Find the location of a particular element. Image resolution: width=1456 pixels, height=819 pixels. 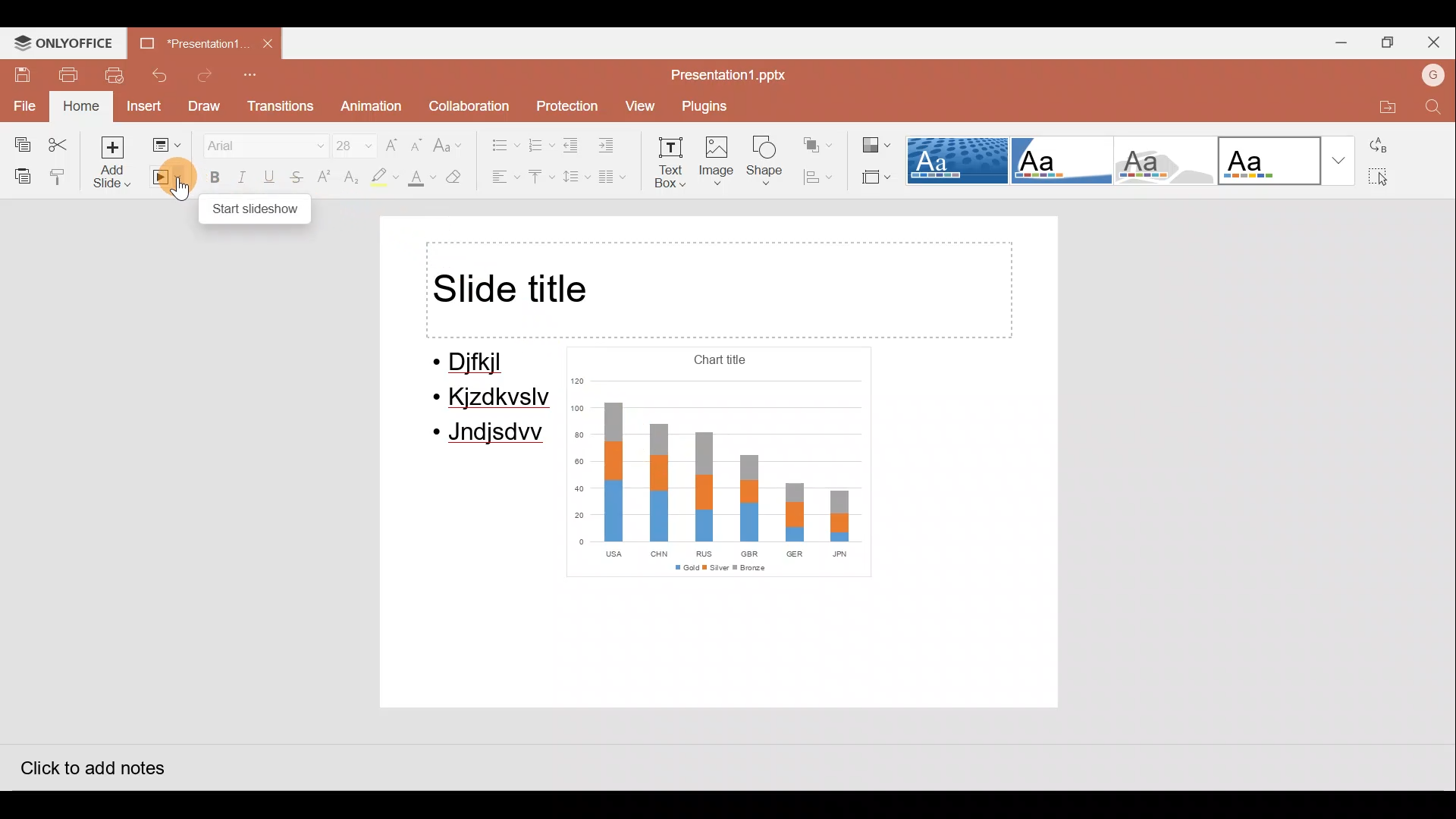

File is located at coordinates (21, 109).